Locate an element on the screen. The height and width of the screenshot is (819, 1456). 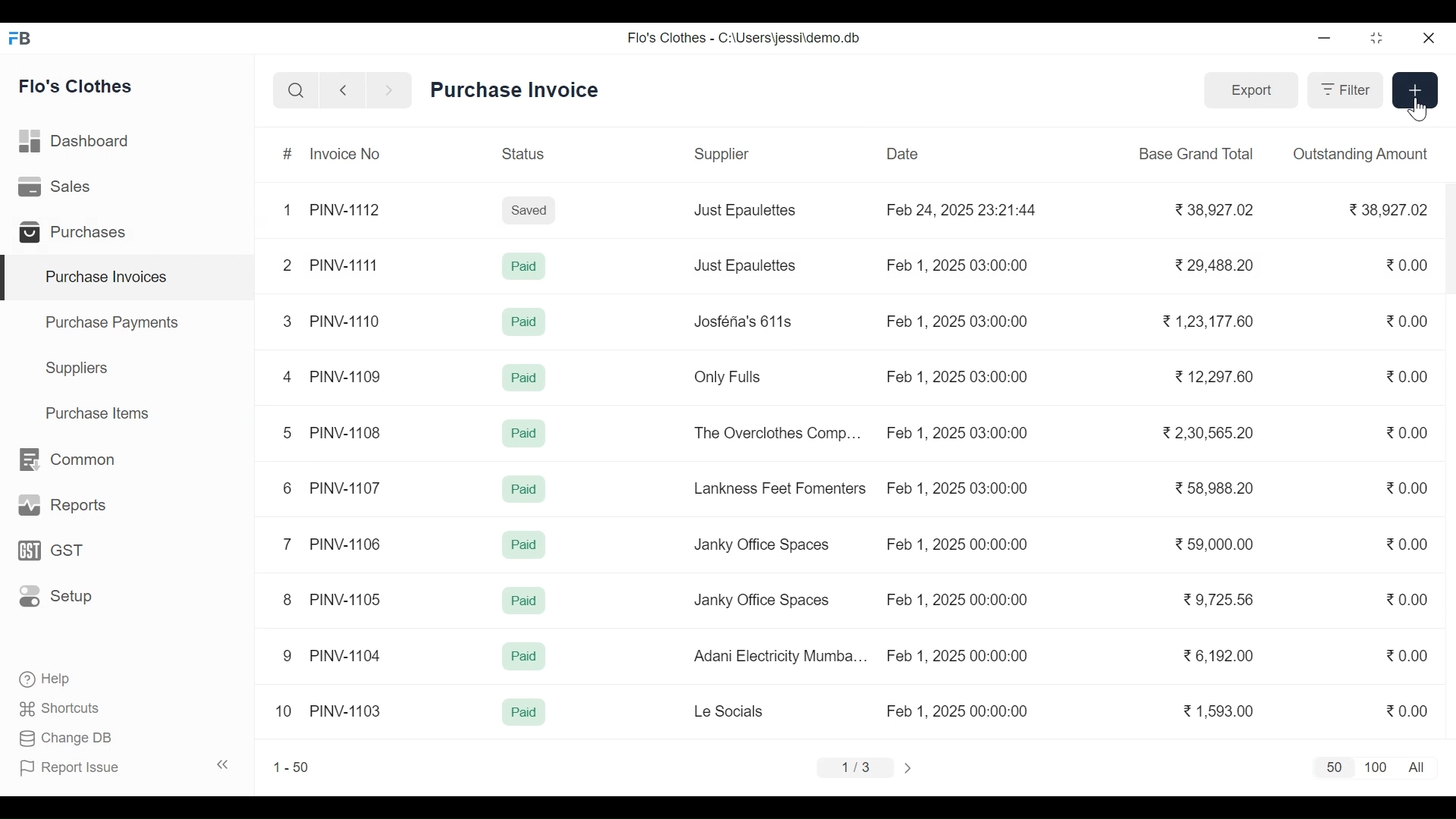
9,725.56 is located at coordinates (1219, 598).